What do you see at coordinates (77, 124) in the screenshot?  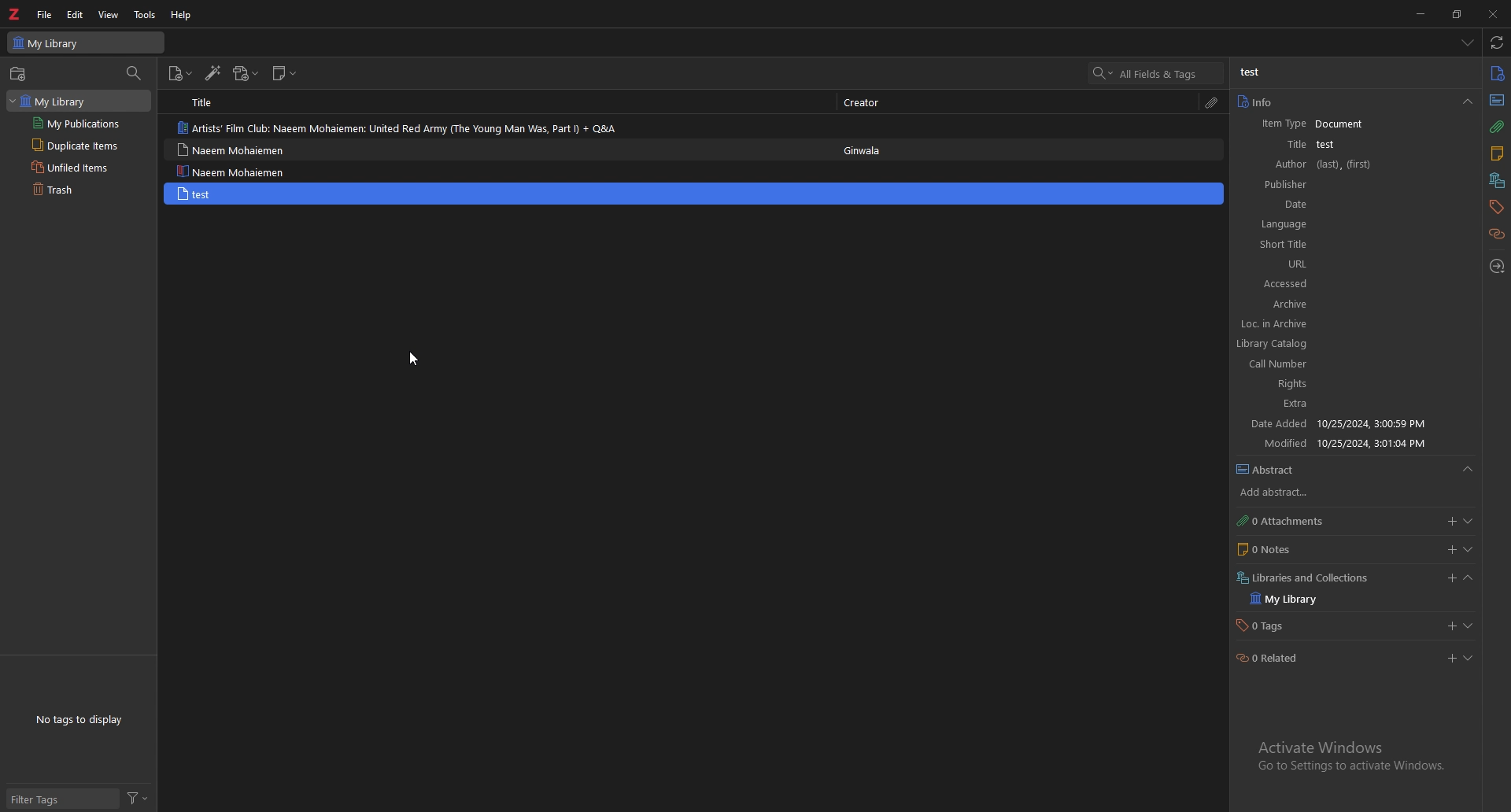 I see `my publications` at bounding box center [77, 124].